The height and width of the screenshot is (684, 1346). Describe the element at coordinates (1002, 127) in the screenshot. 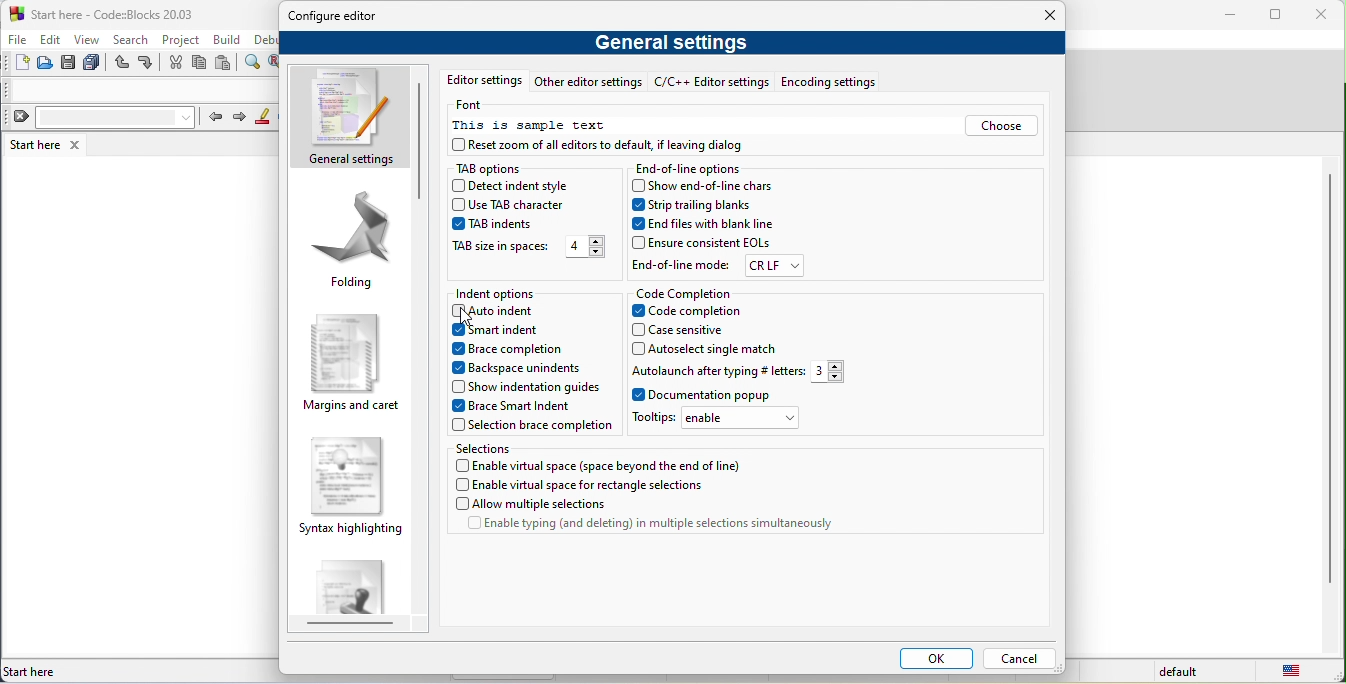

I see `choose` at that location.